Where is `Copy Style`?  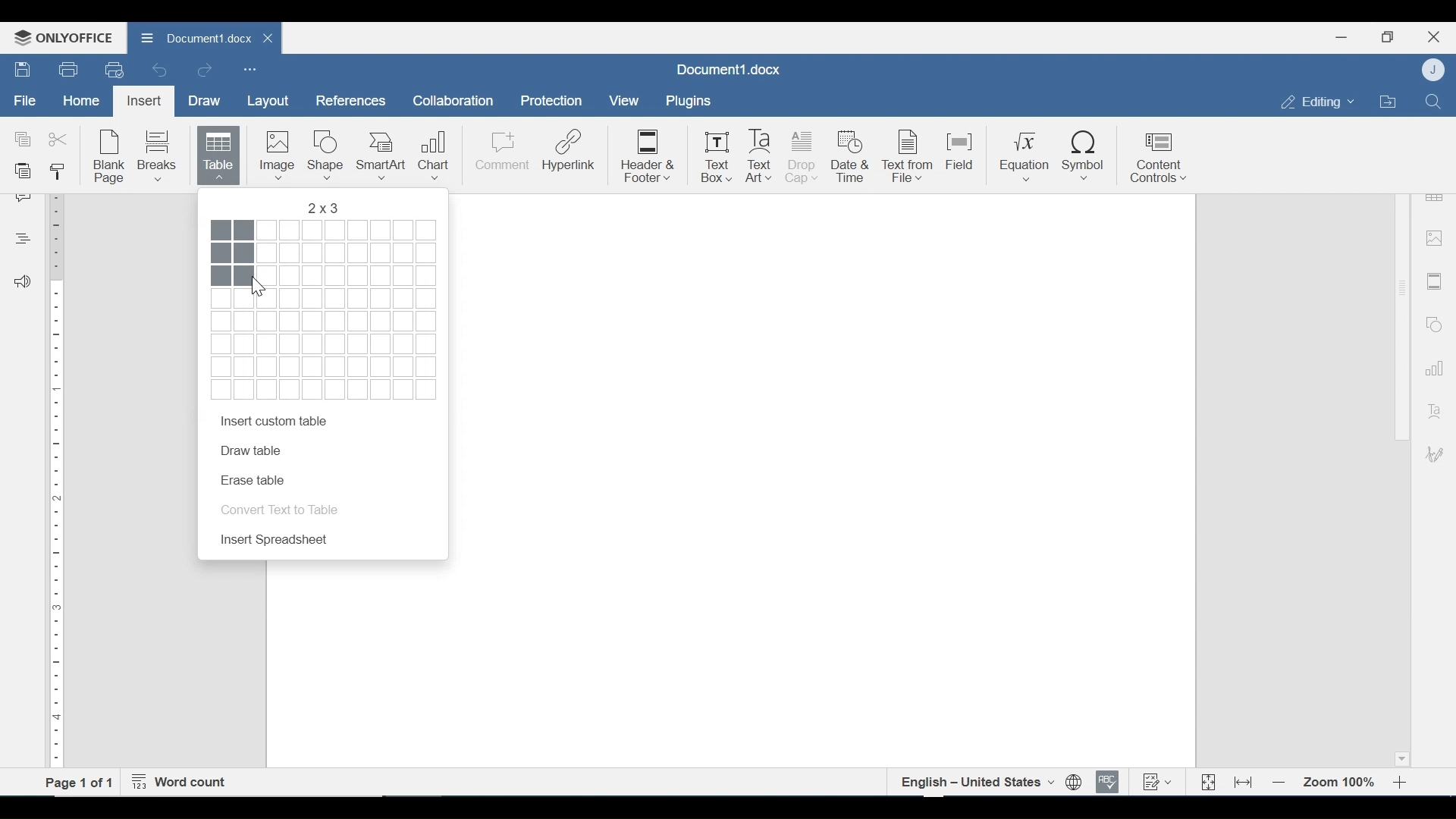
Copy Style is located at coordinates (60, 171).